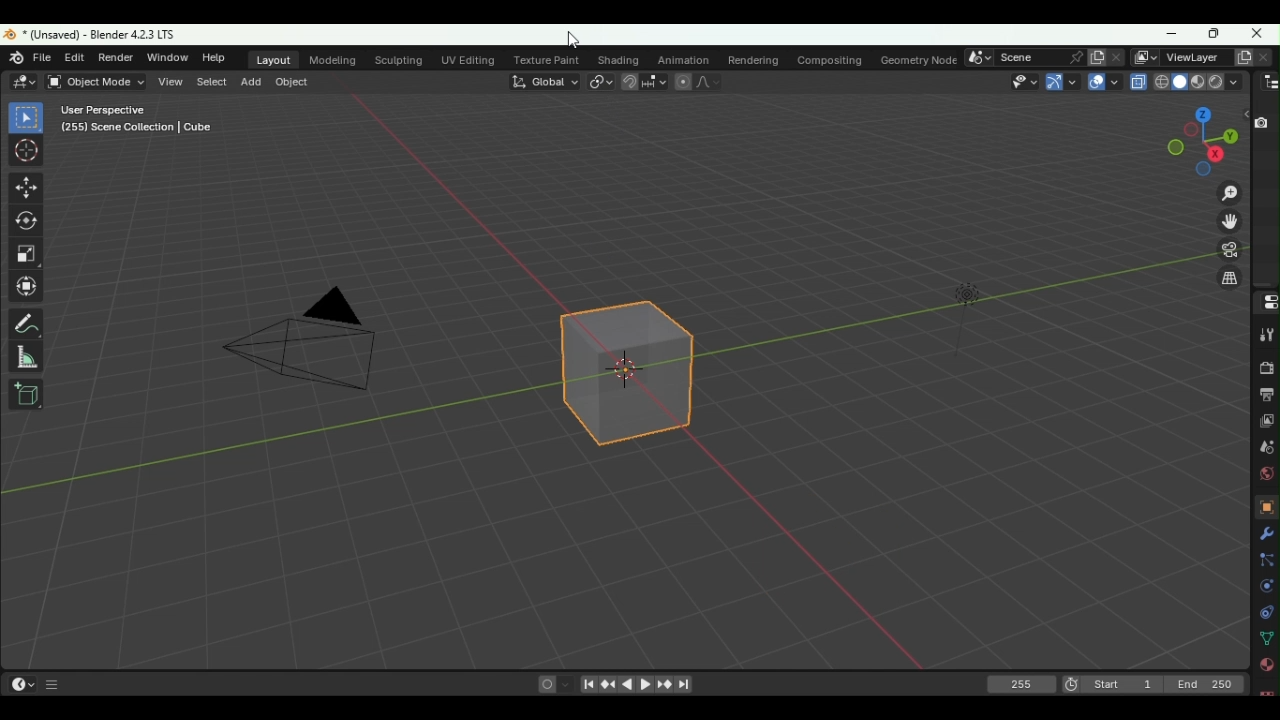 The image size is (1280, 720). I want to click on Toggle X-ray, so click(1137, 81).